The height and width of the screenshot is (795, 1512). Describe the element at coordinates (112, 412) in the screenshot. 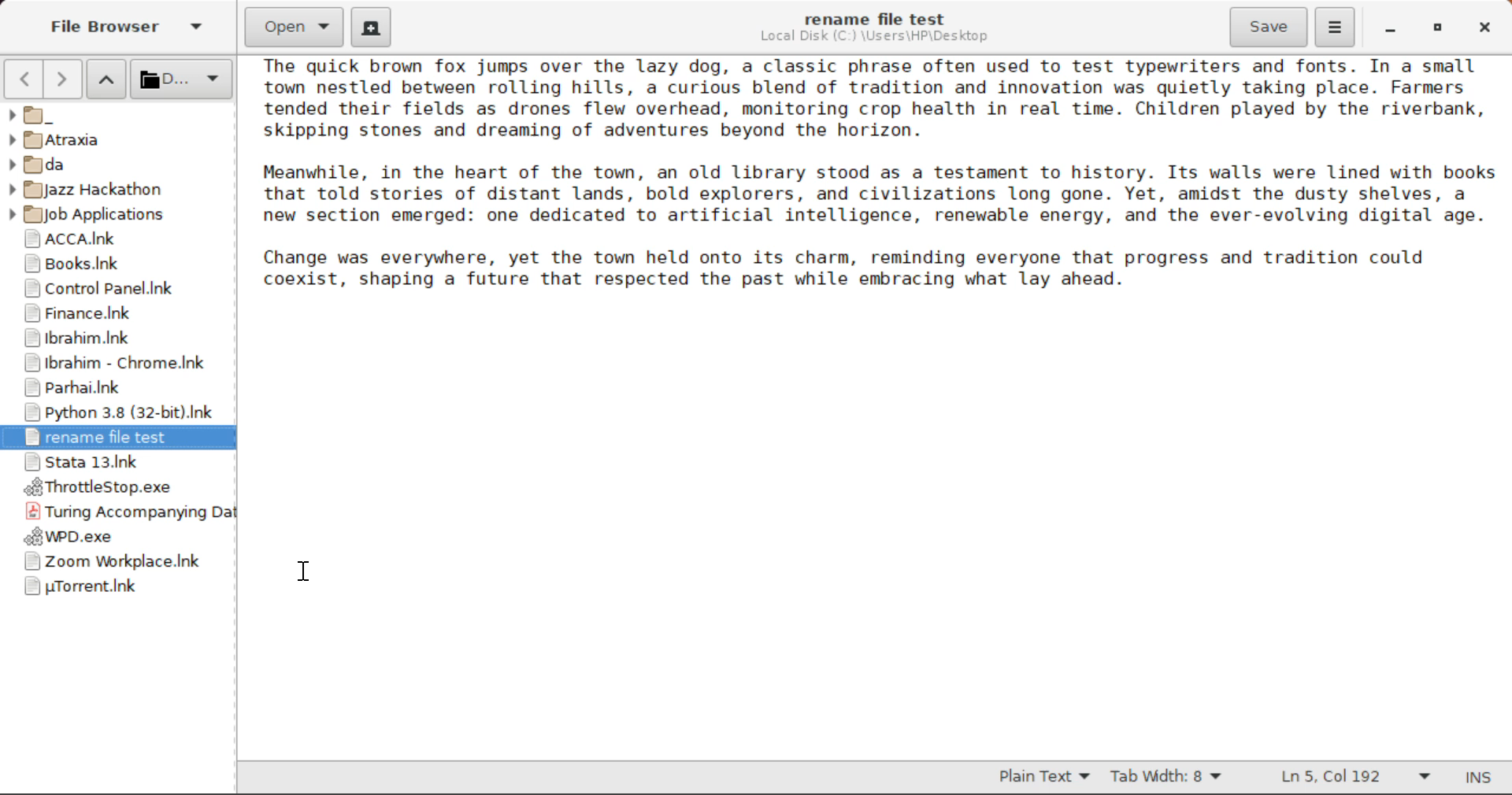

I see `Python 3.8 Application Shortcut` at that location.